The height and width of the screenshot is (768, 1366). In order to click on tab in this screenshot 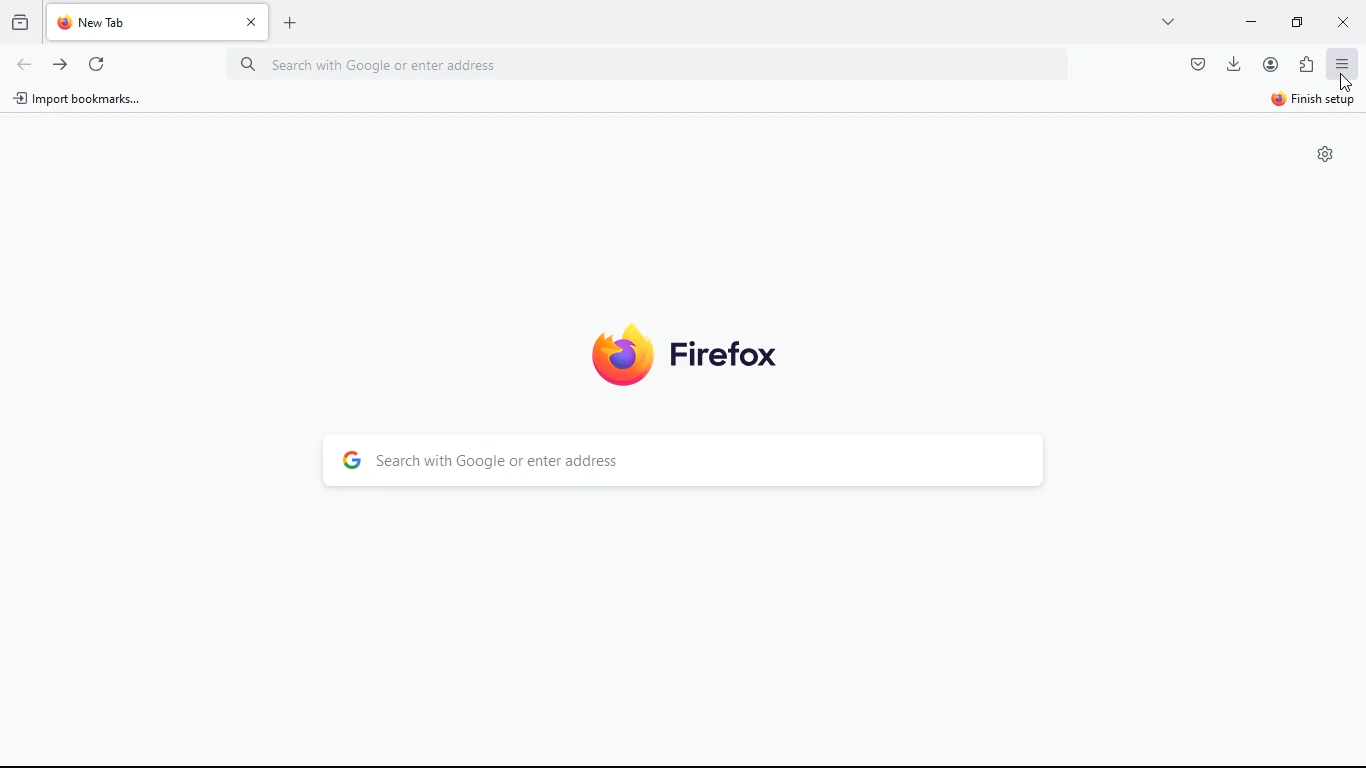, I will do `click(160, 22)`.